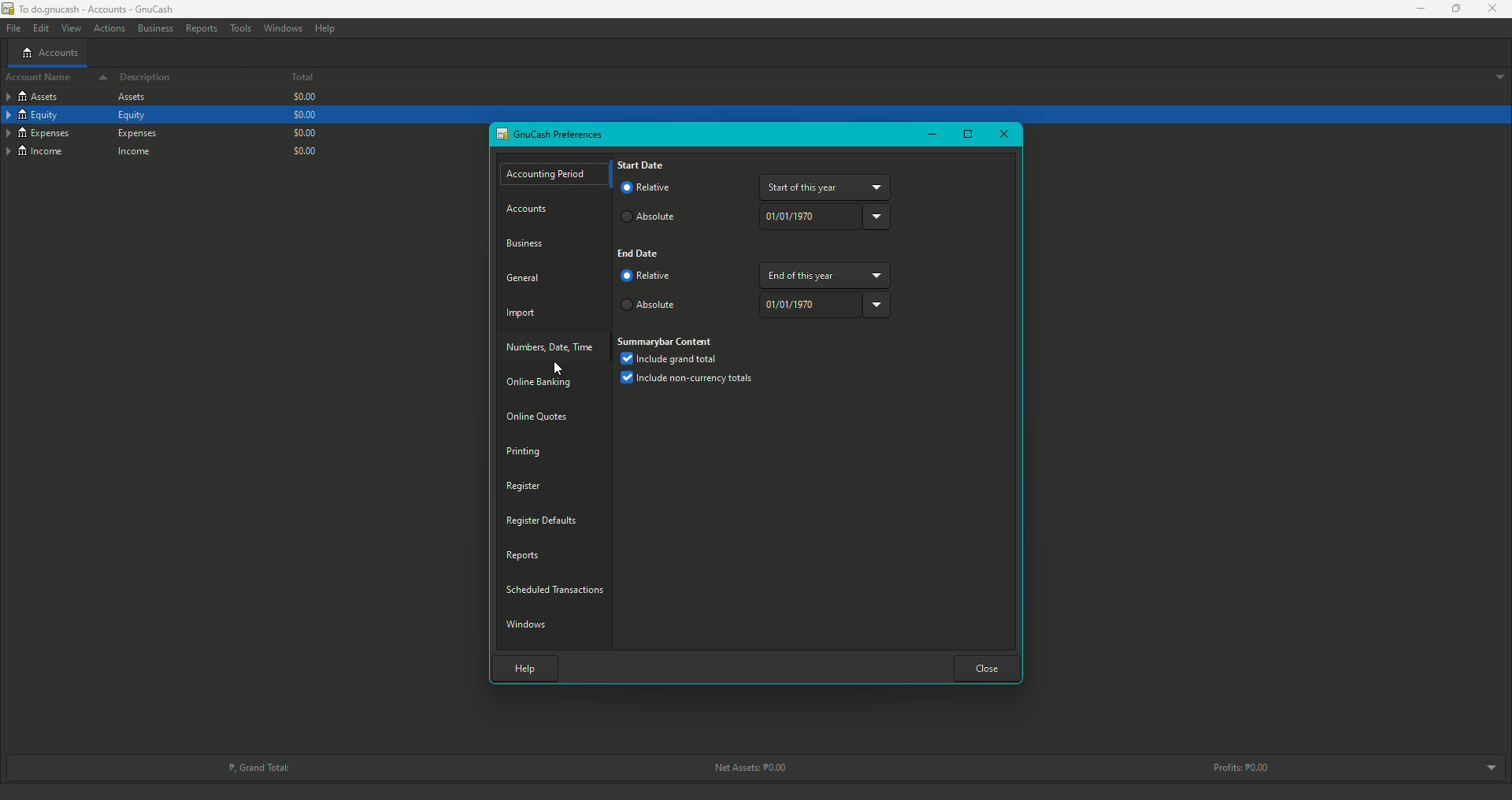 This screenshot has width=1512, height=800. What do you see at coordinates (558, 587) in the screenshot?
I see `Schedule Transactions` at bounding box center [558, 587].